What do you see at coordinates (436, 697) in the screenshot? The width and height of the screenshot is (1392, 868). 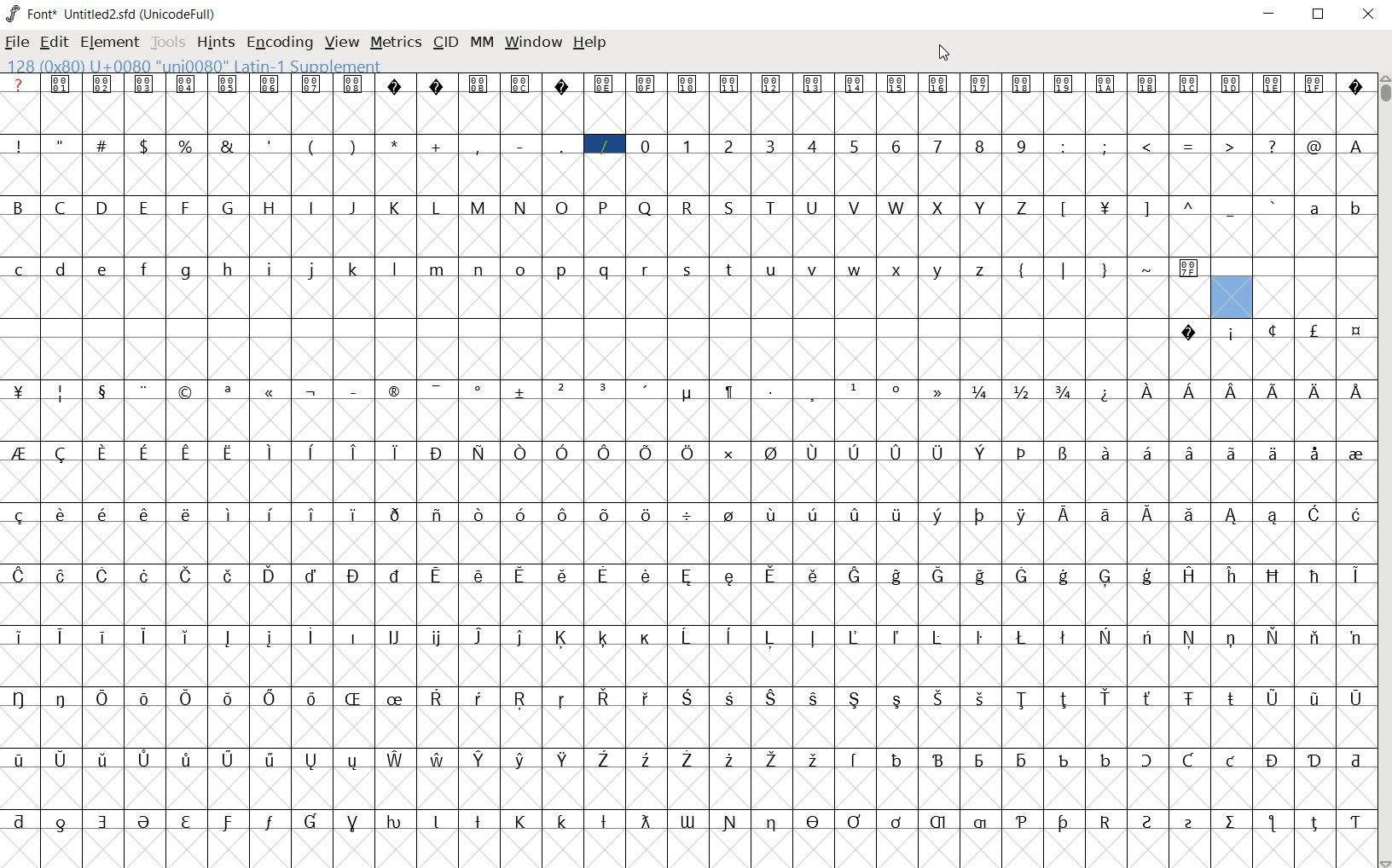 I see `glyph` at bounding box center [436, 697].